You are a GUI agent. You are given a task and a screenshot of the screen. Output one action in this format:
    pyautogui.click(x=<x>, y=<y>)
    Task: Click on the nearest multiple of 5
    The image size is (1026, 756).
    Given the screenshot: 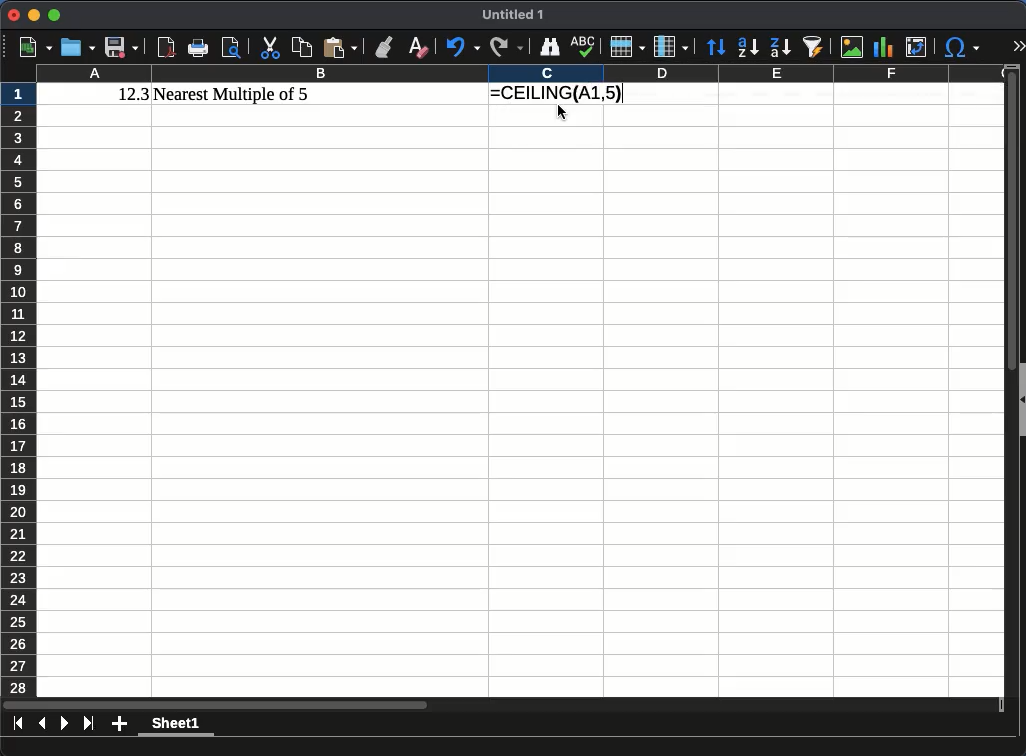 What is the action you would take?
    pyautogui.click(x=233, y=95)
    